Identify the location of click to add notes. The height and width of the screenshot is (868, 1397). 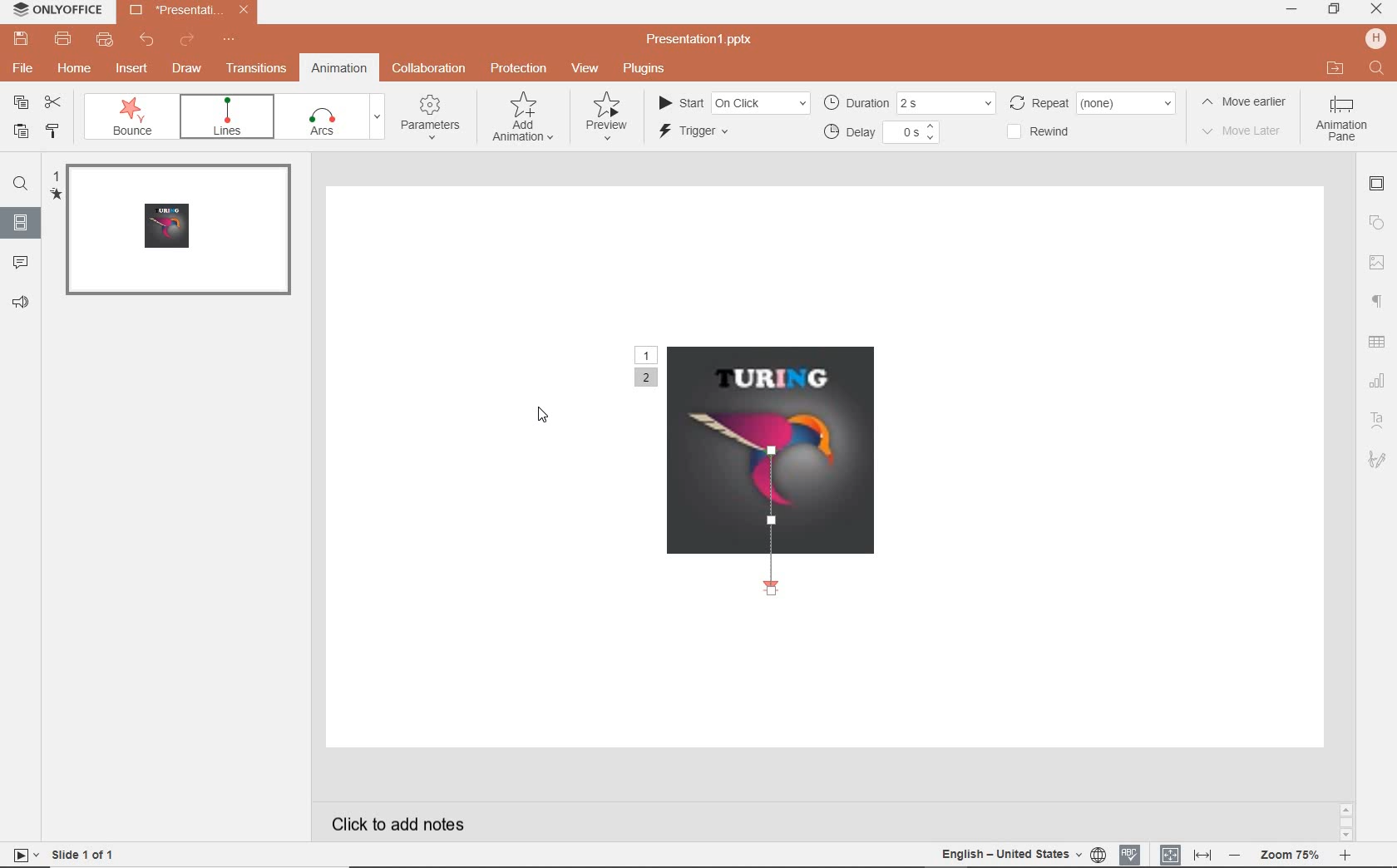
(404, 821).